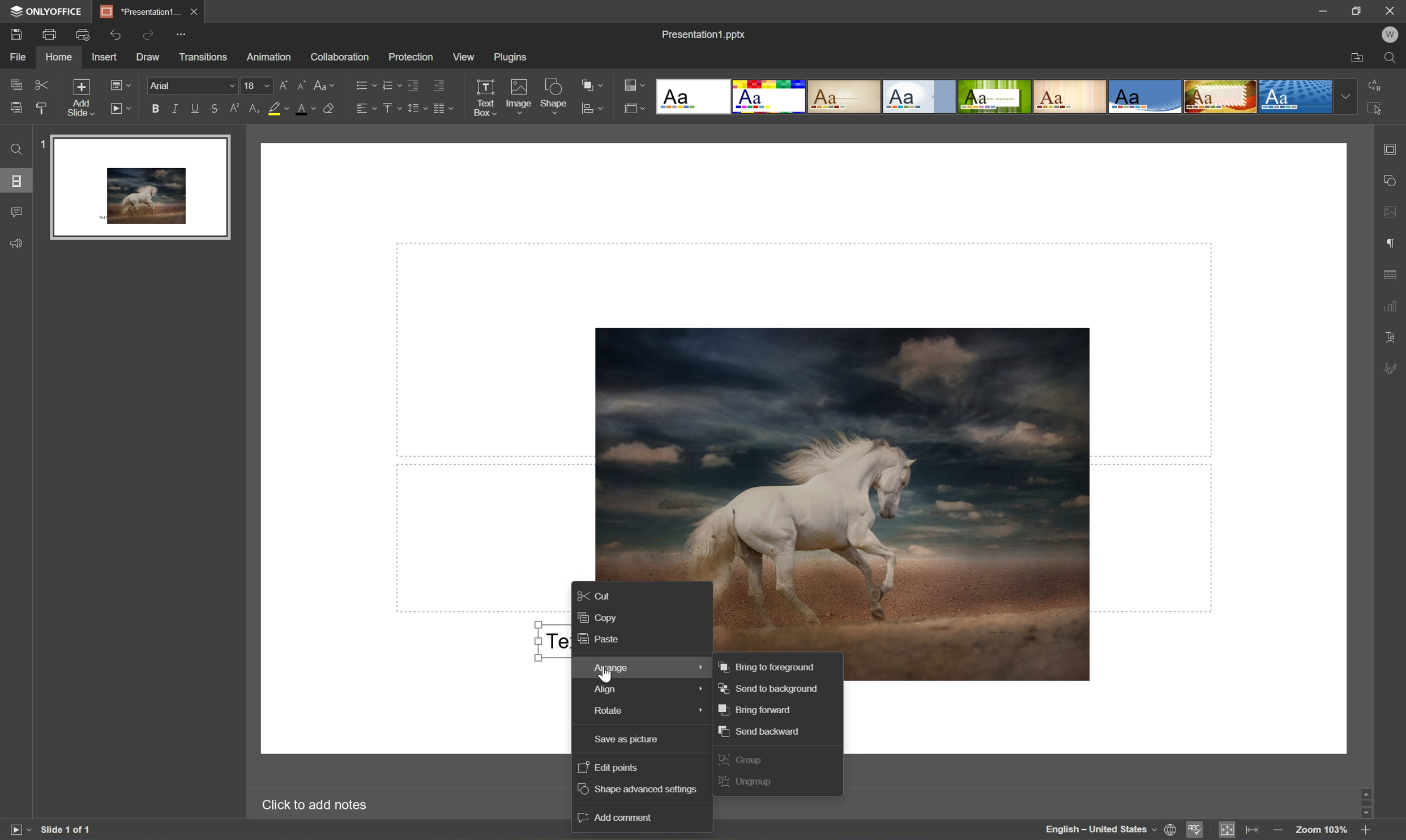  Describe the element at coordinates (1390, 36) in the screenshot. I see `W` at that location.